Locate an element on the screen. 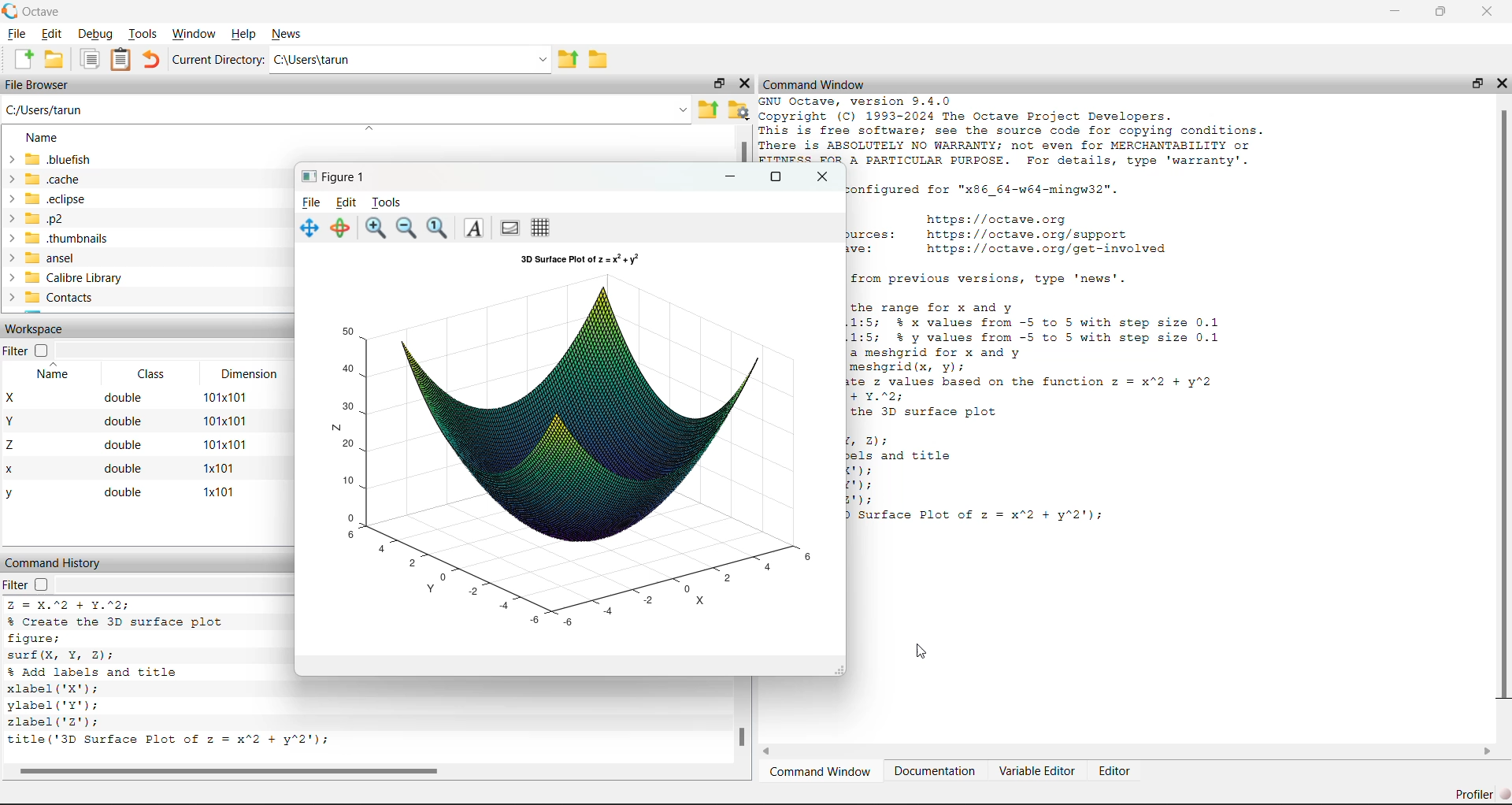  Calibre Library is located at coordinates (63, 278).